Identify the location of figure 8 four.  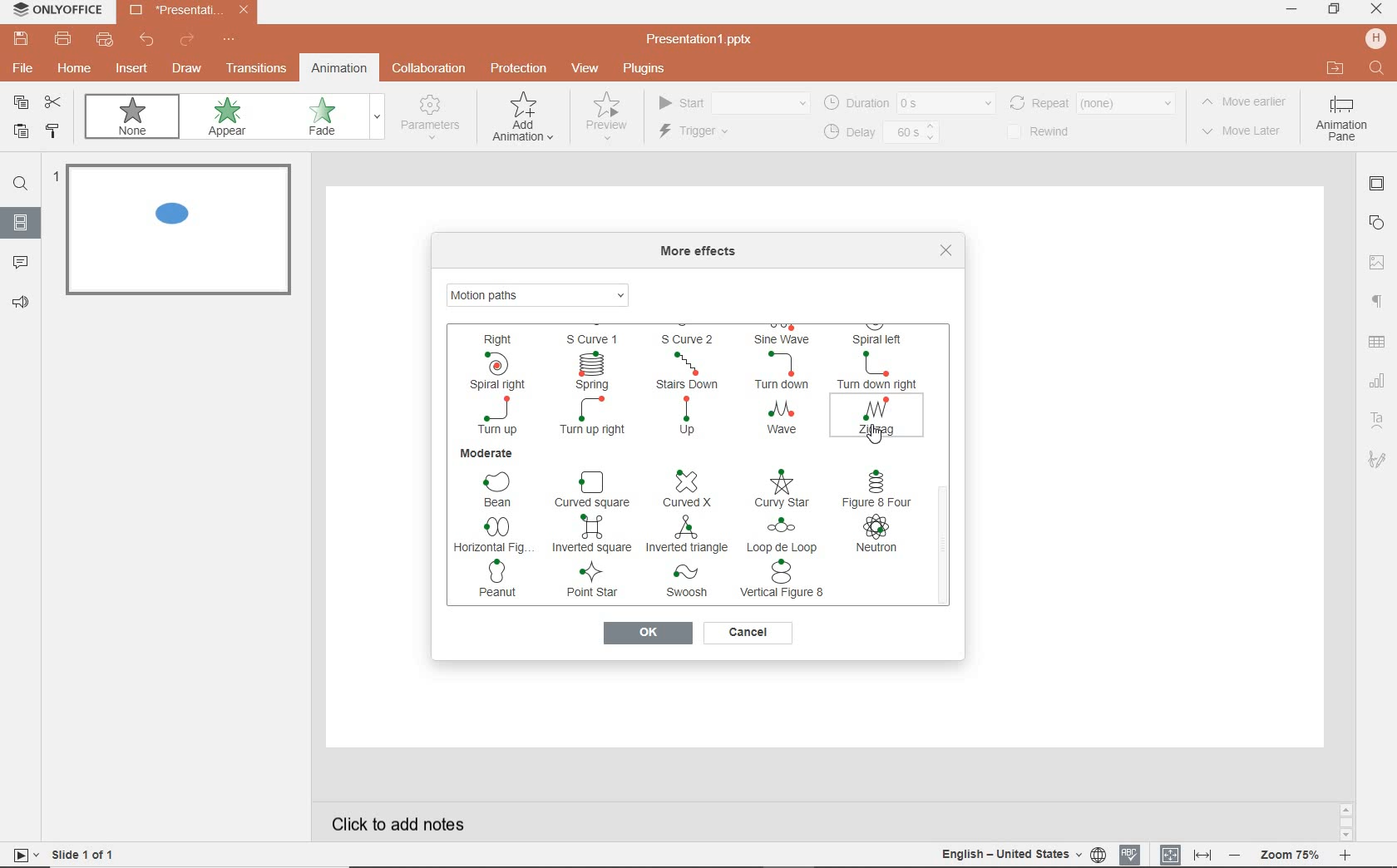
(876, 488).